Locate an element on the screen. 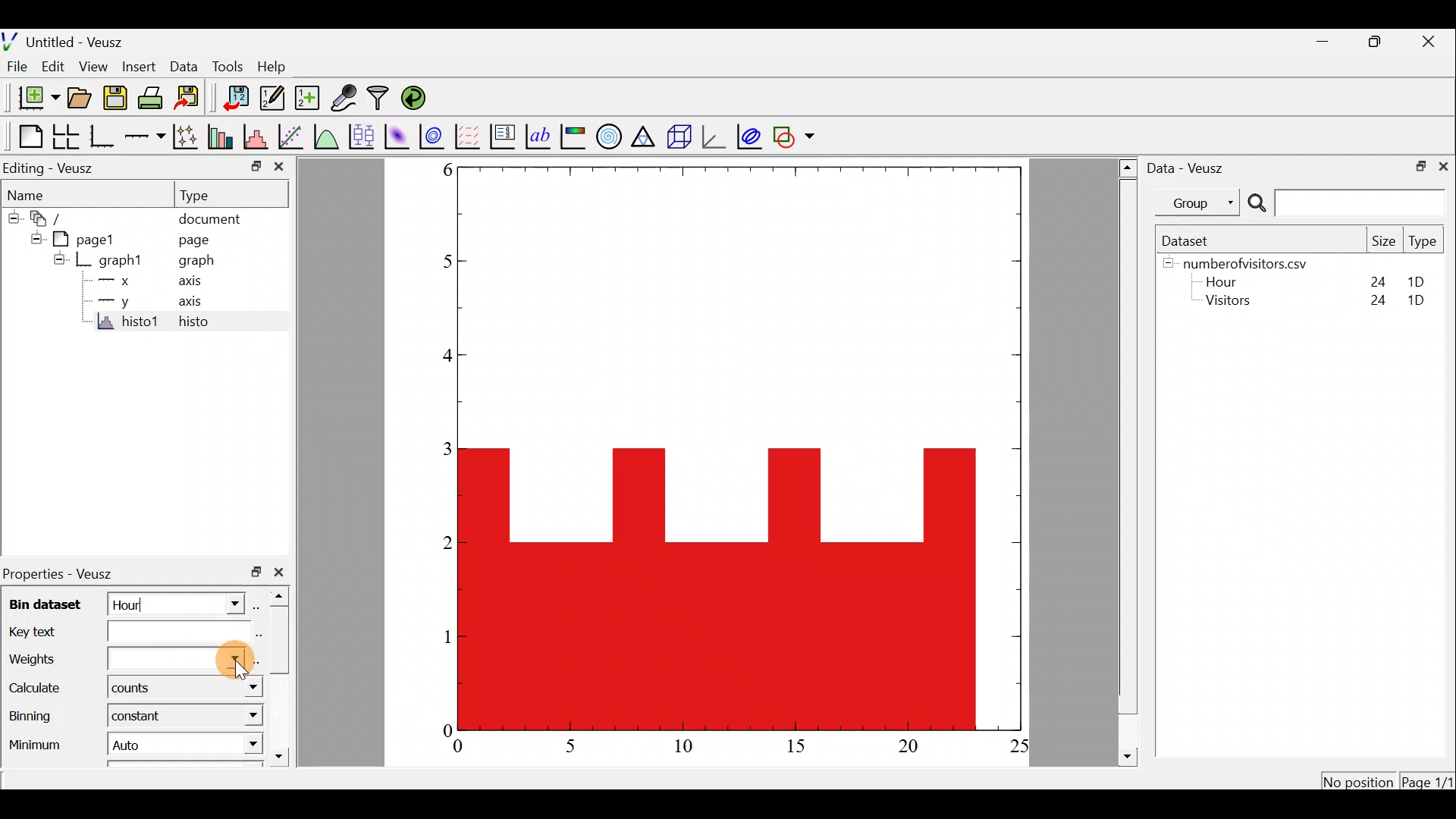 The image size is (1456, 819). Group is located at coordinates (1198, 205).